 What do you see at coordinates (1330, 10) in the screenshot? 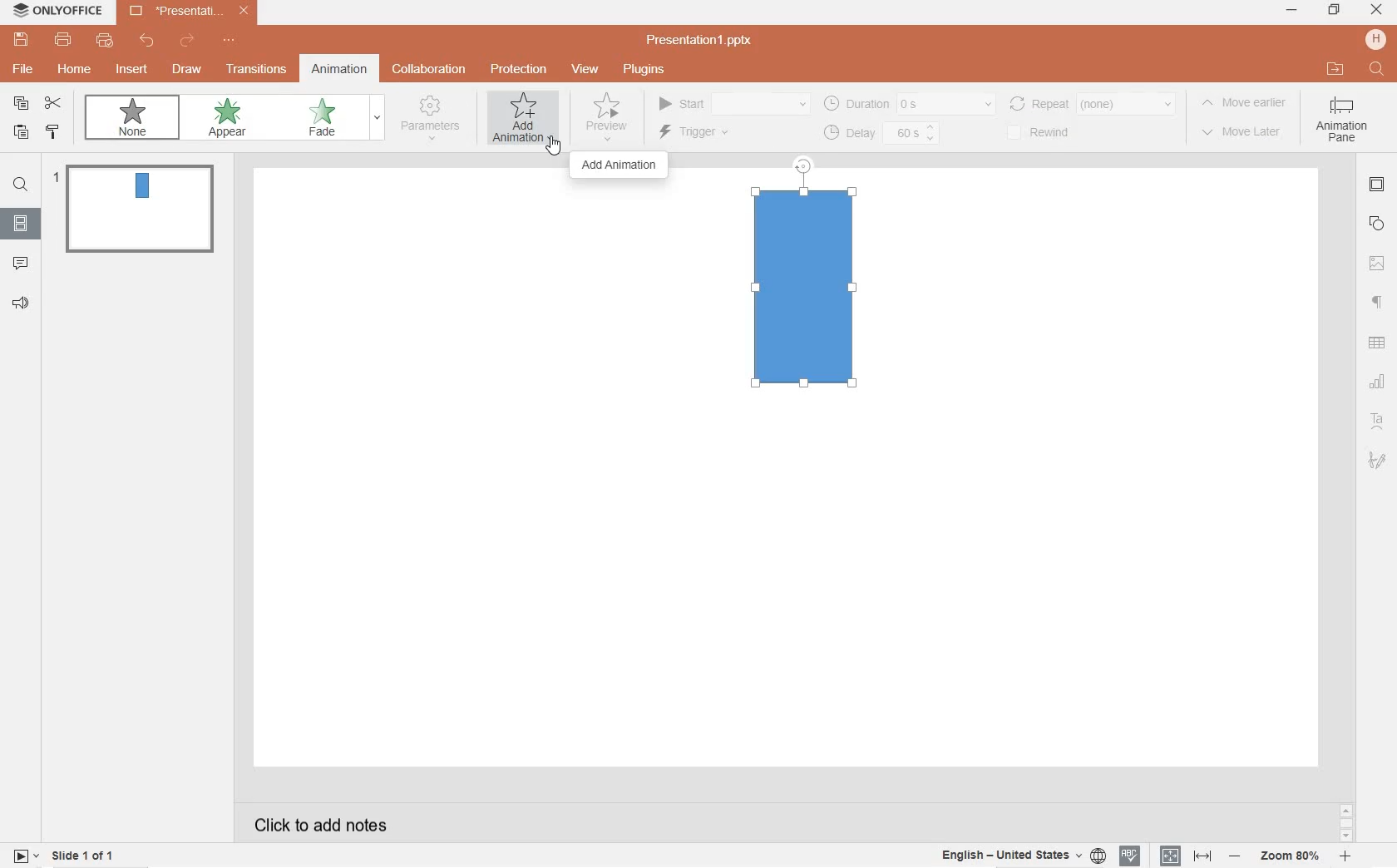
I see `RESTORE` at bounding box center [1330, 10].